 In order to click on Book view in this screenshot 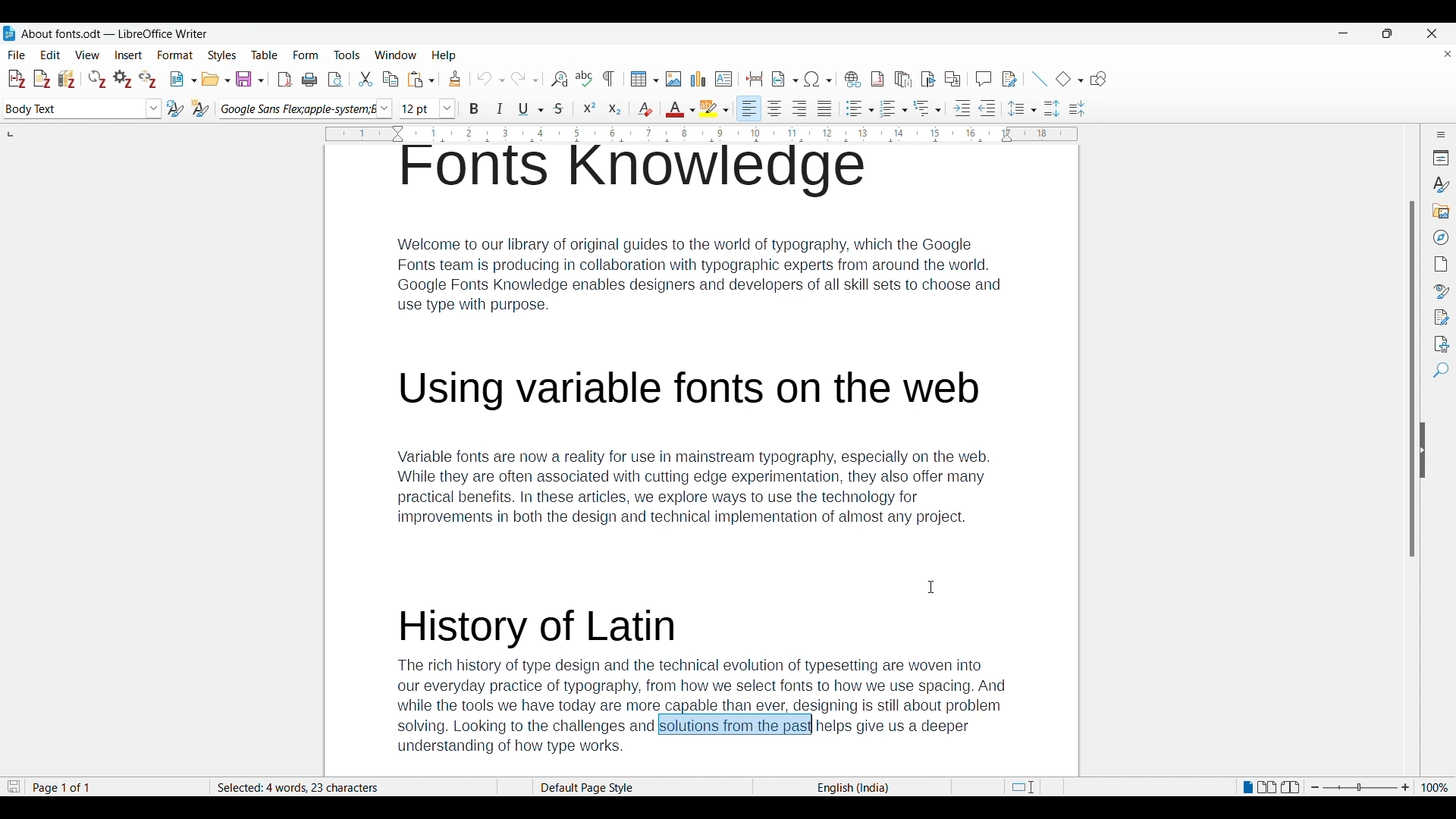, I will do `click(1290, 787)`.